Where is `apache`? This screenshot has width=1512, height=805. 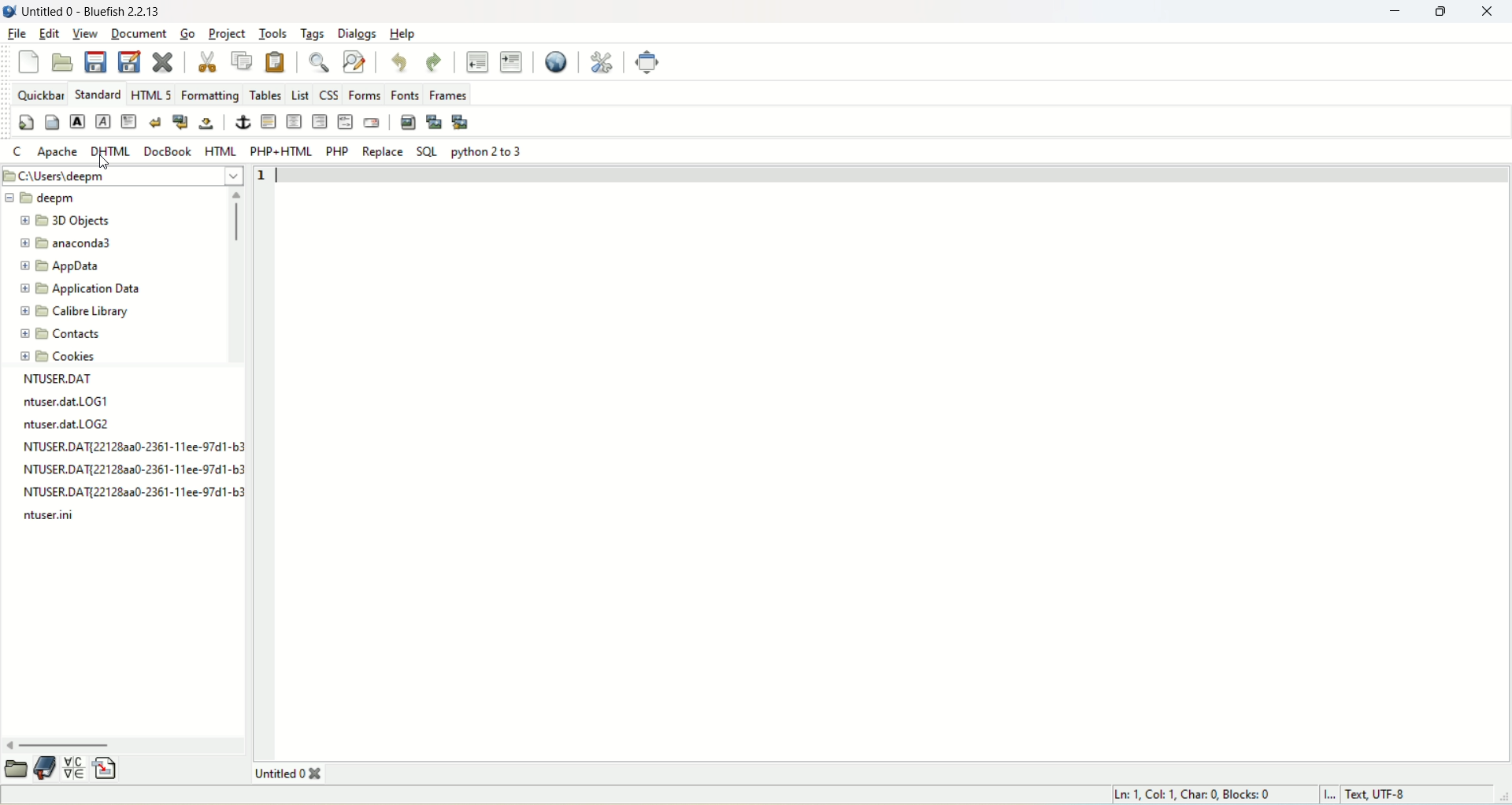 apache is located at coordinates (59, 153).